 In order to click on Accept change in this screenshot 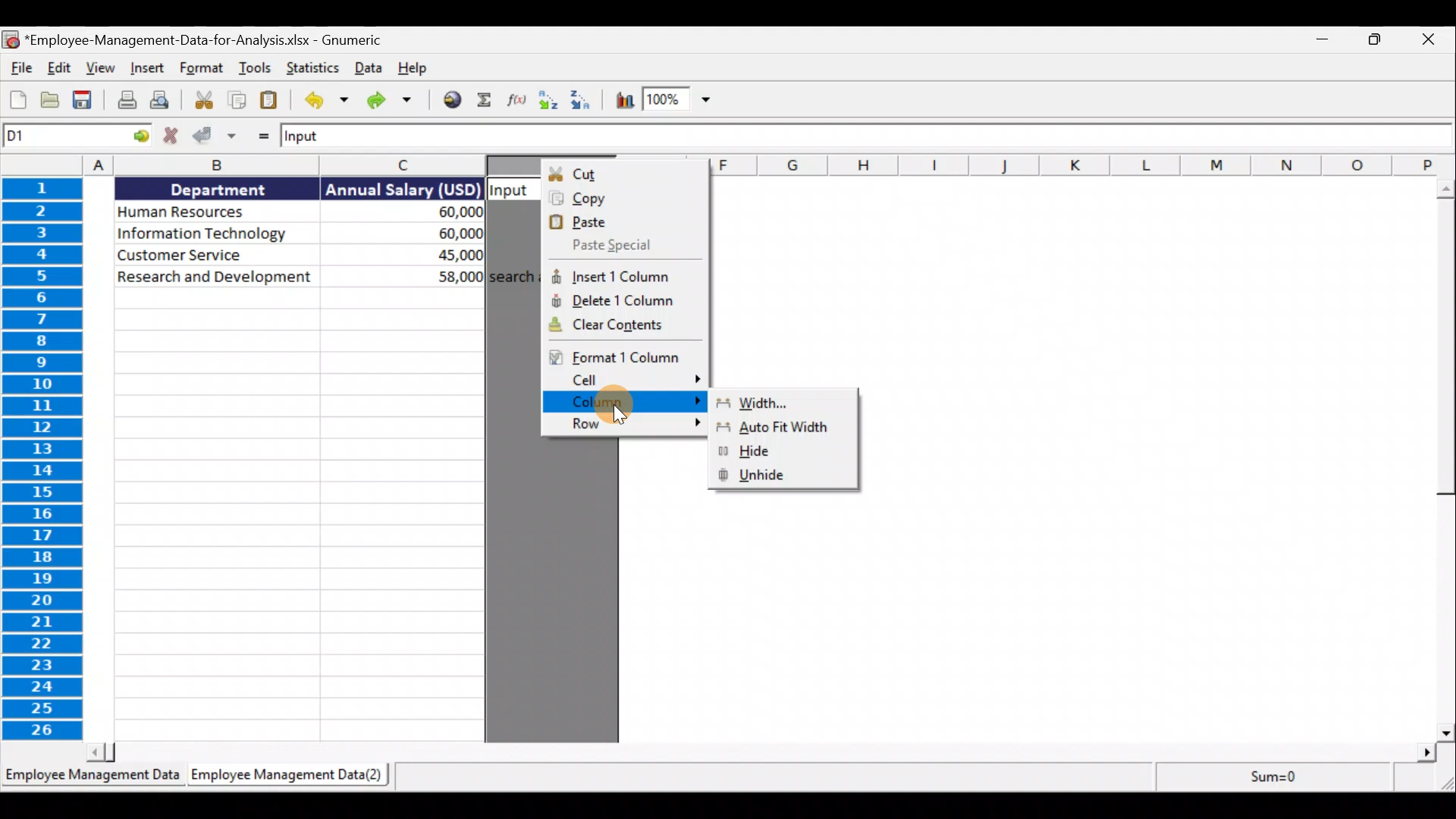, I will do `click(217, 135)`.